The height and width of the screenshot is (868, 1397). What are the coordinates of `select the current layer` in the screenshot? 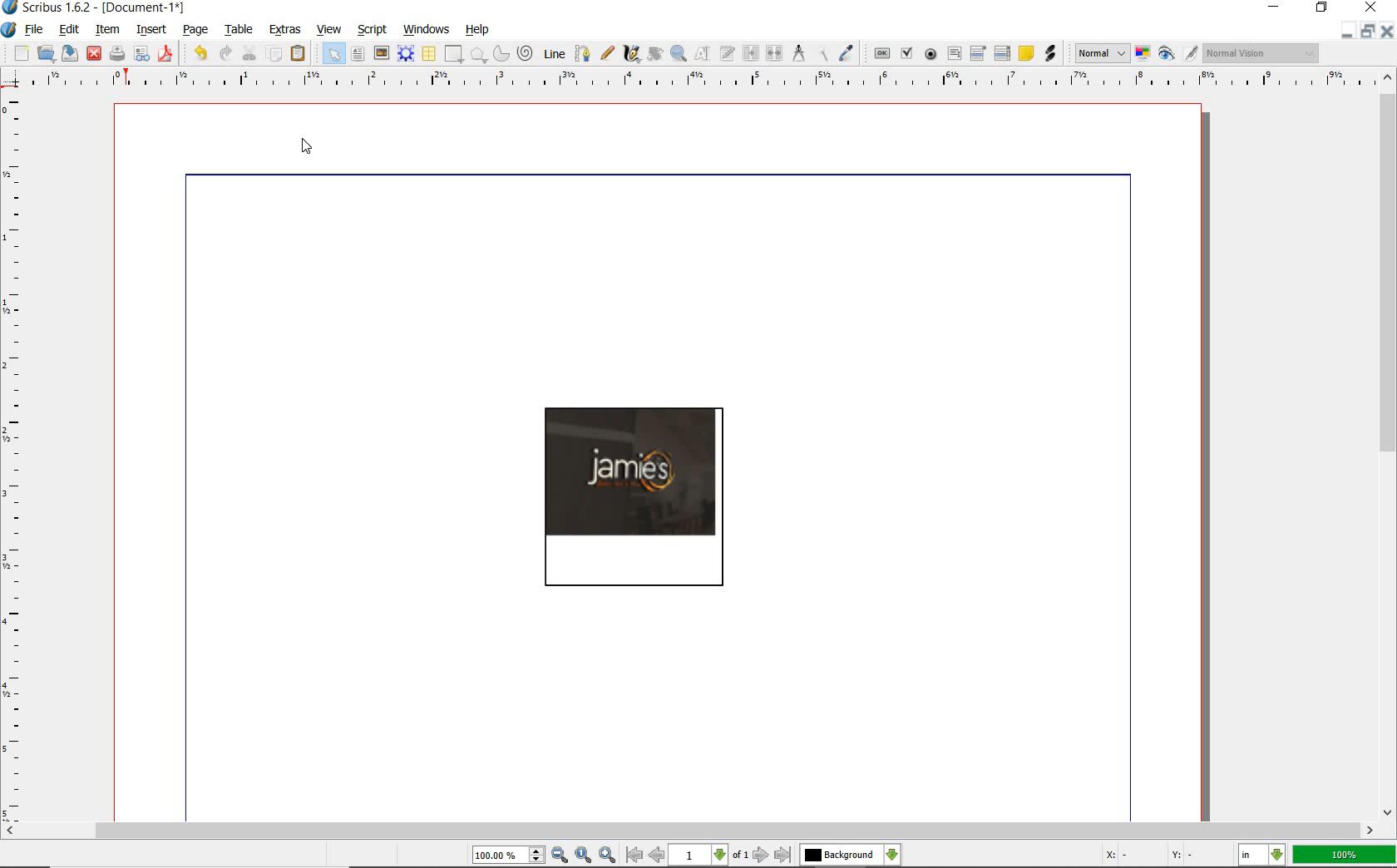 It's located at (849, 855).